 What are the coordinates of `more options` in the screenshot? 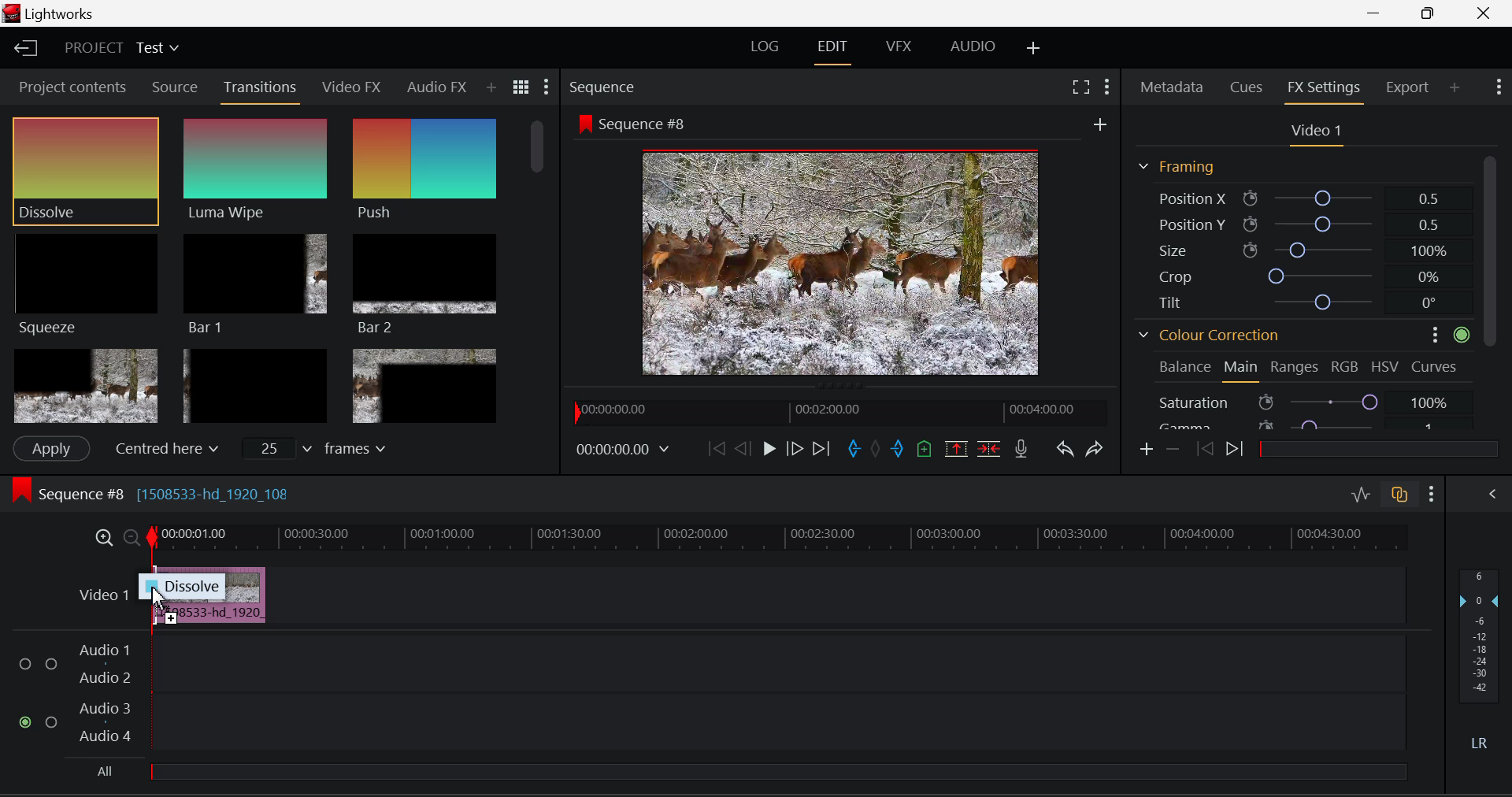 It's located at (1429, 334).